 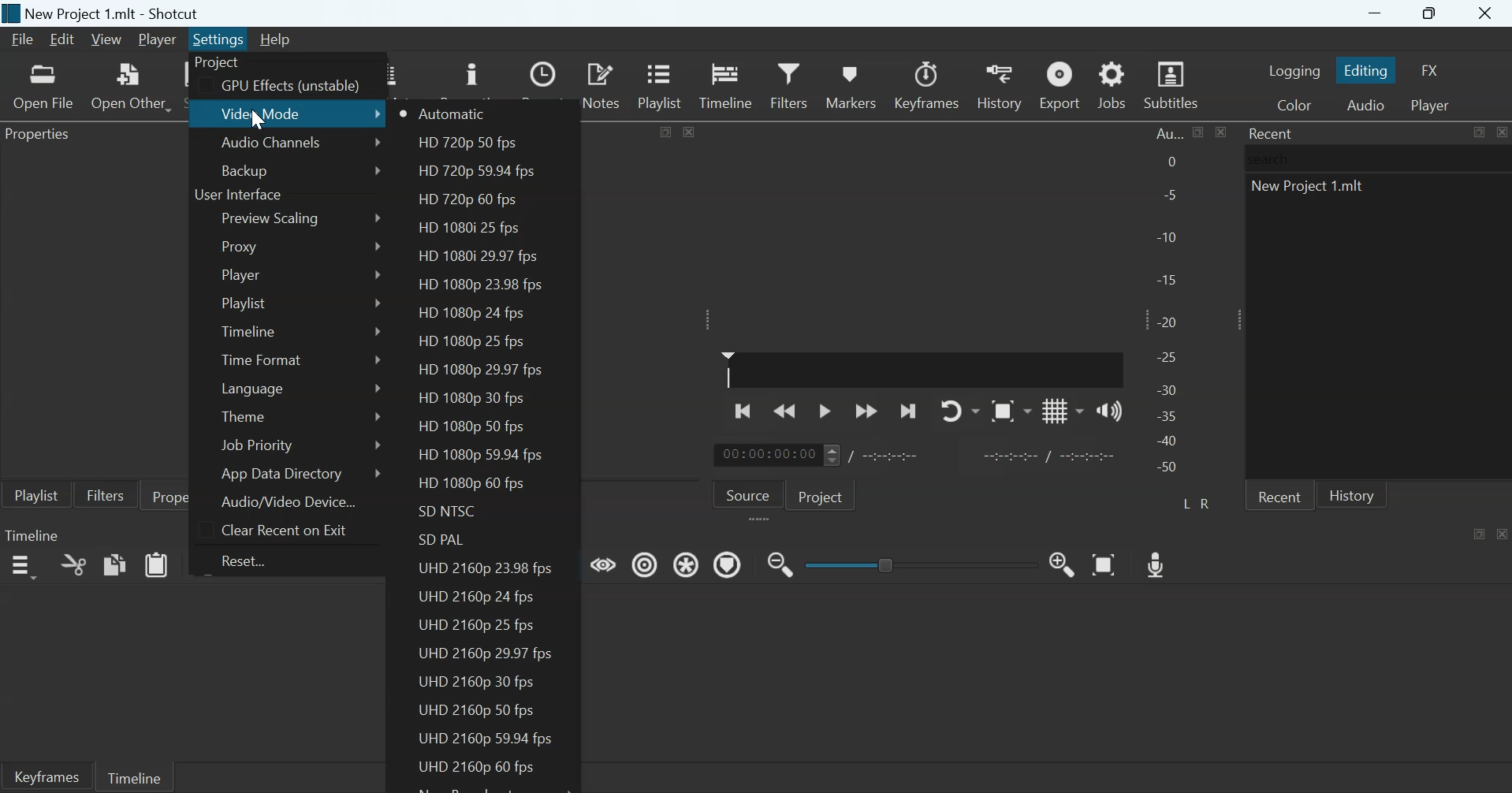 I want to click on Play quickly backwards, so click(x=786, y=410).